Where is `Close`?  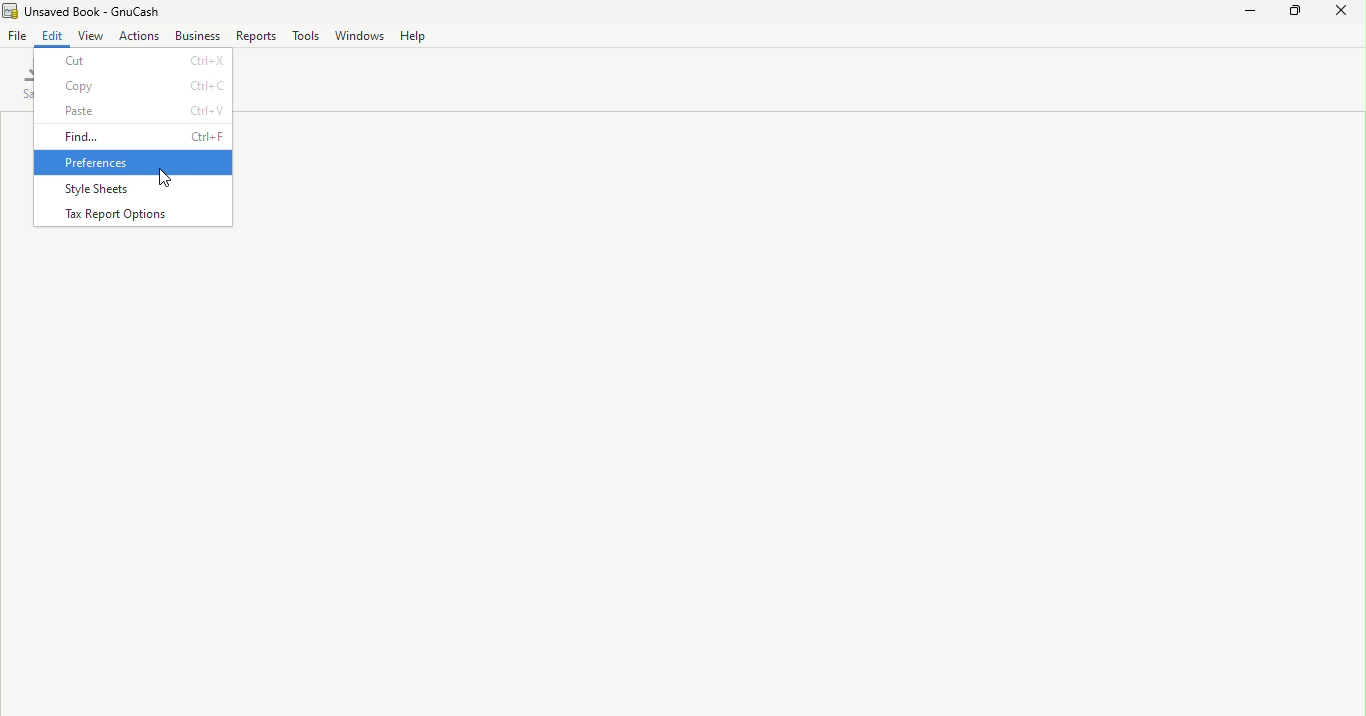
Close is located at coordinates (1346, 14).